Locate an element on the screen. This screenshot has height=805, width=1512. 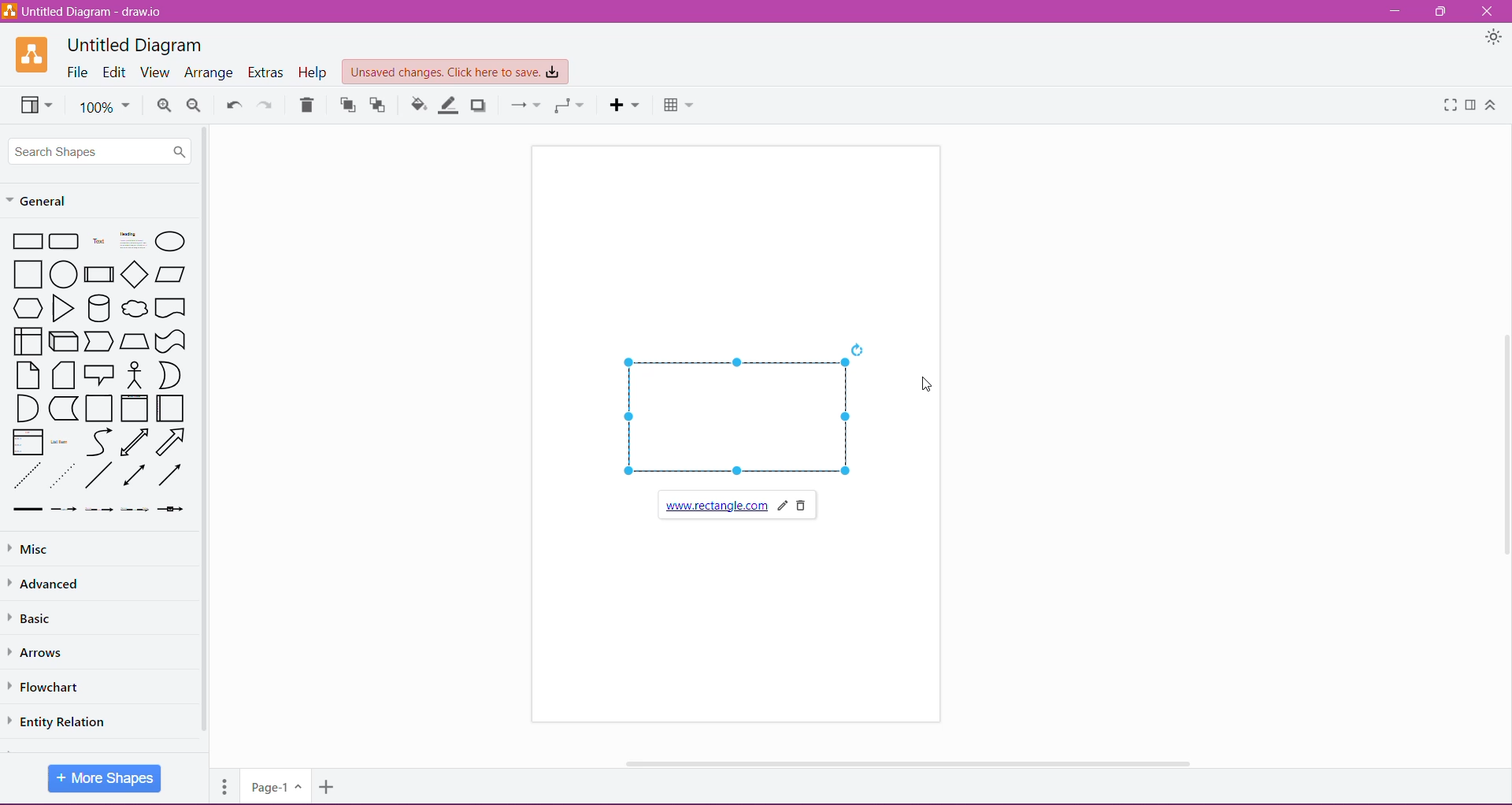
Search Shapes is located at coordinates (101, 152).